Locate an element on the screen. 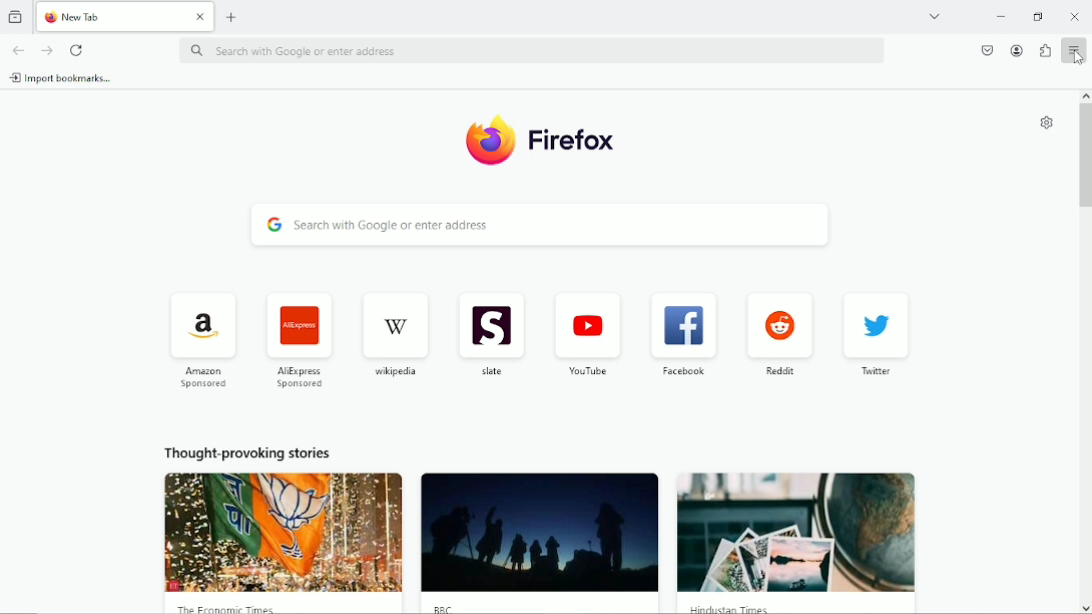 This screenshot has height=614, width=1092. save to pocket is located at coordinates (987, 50).